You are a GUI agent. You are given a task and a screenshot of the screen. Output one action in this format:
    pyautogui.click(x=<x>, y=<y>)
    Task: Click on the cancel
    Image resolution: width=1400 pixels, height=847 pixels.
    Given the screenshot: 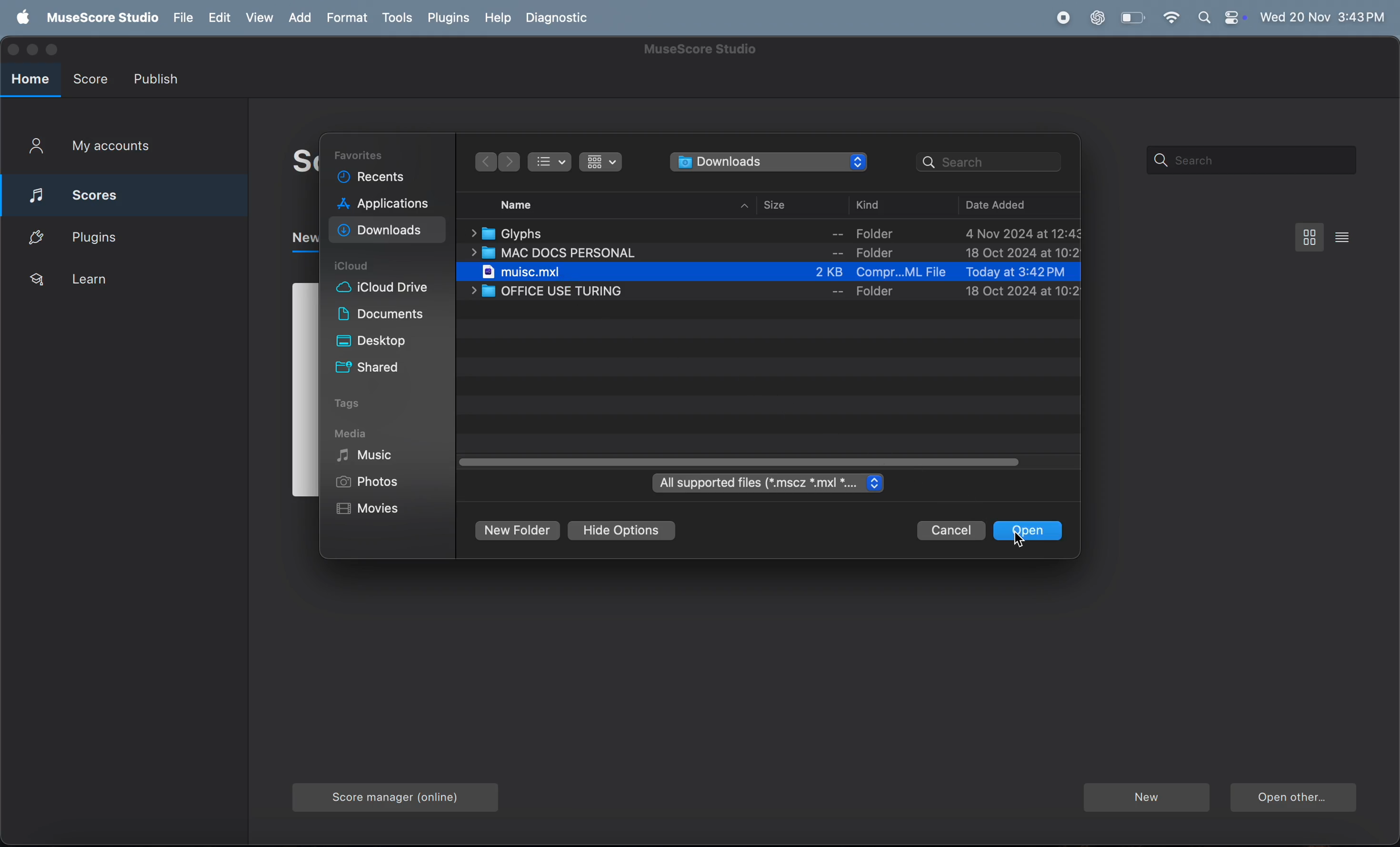 What is the action you would take?
    pyautogui.click(x=952, y=530)
    